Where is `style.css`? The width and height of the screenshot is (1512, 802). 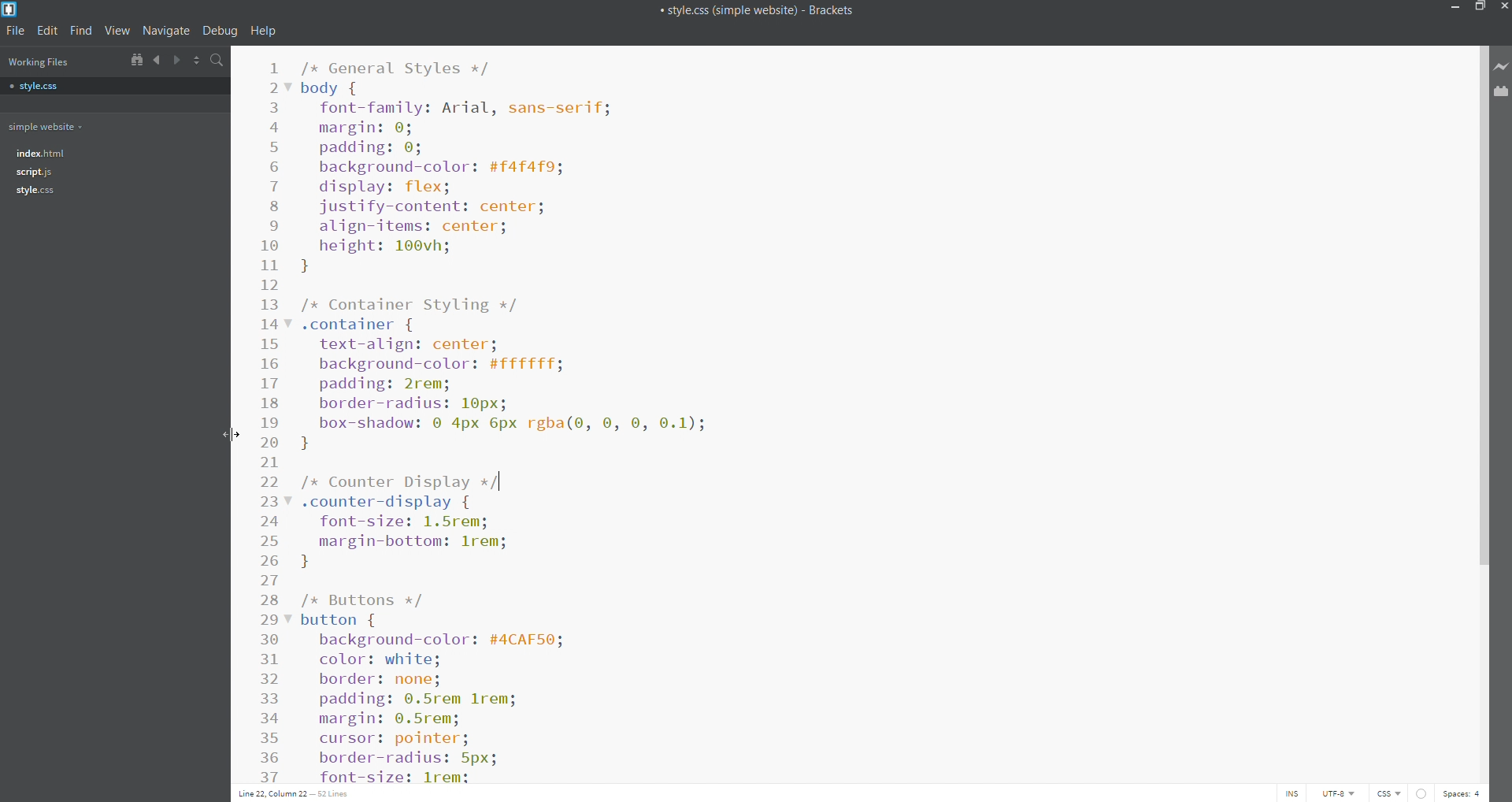 style.css is located at coordinates (117, 87).